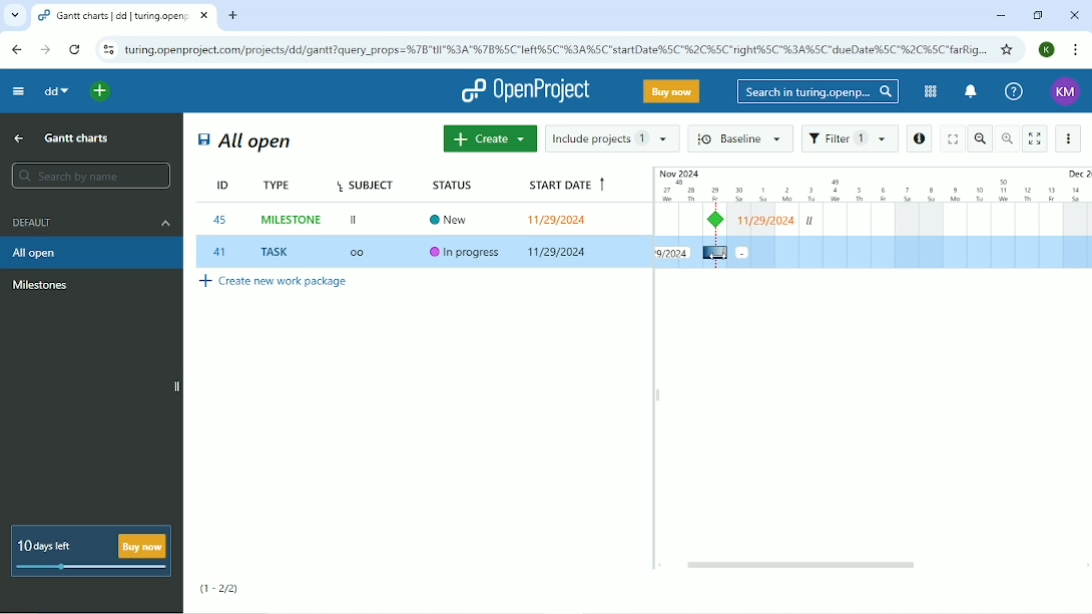 The width and height of the screenshot is (1092, 614). Describe the element at coordinates (54, 90) in the screenshot. I see `dd` at that location.